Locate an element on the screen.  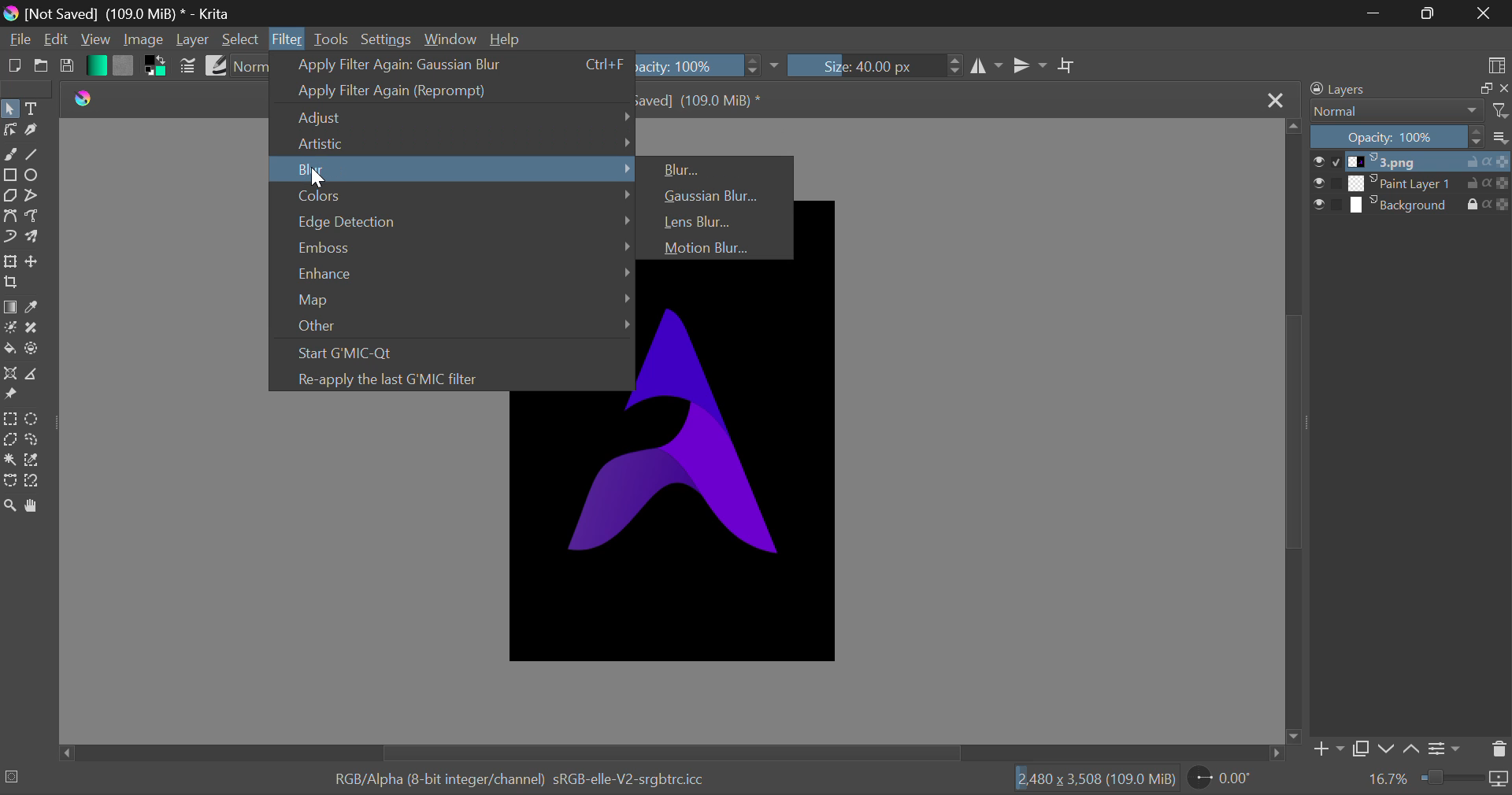
Assistant Tool is located at coordinates (9, 374).